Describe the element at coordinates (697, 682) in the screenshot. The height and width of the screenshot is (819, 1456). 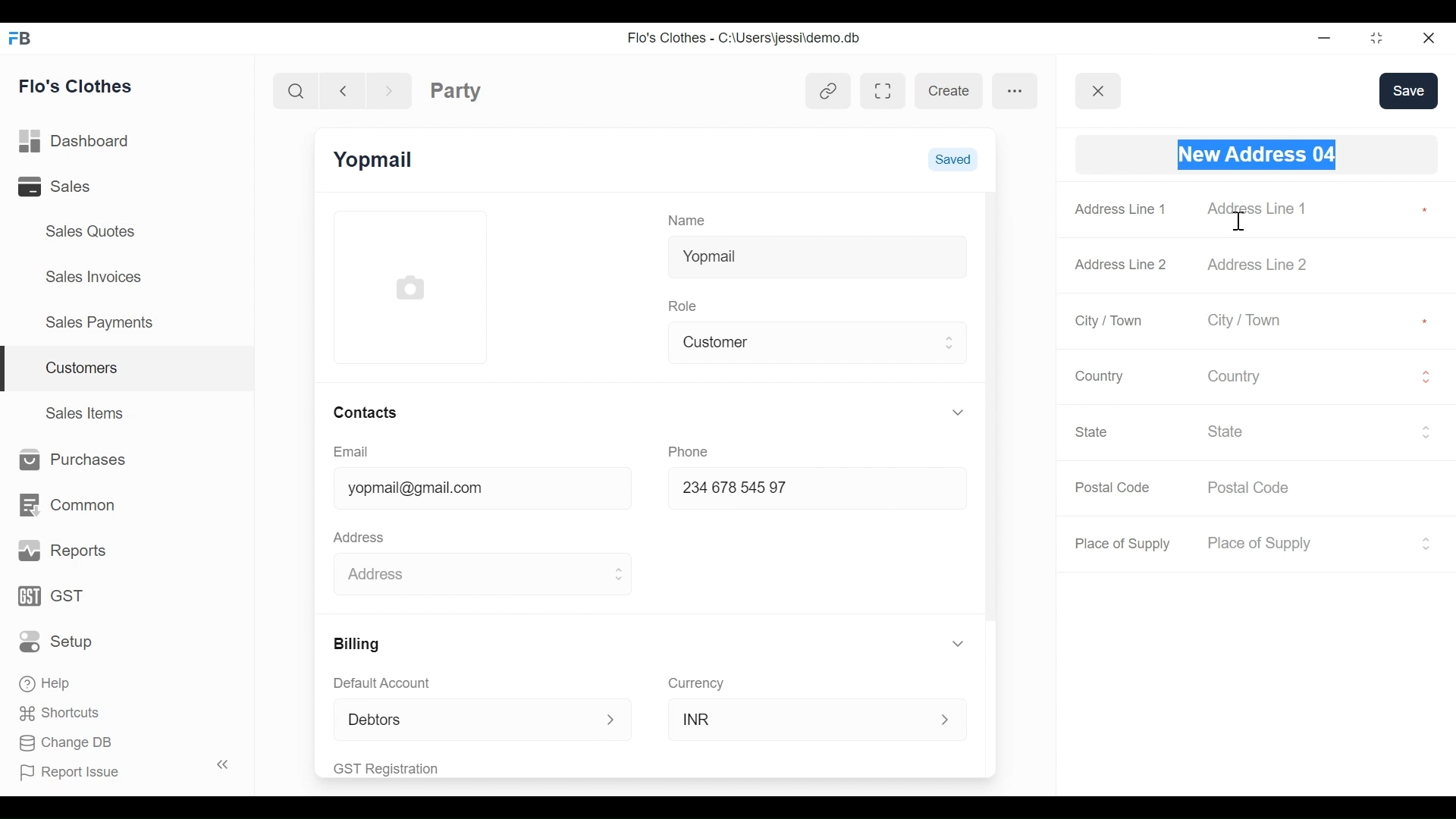
I see `Currency` at that location.